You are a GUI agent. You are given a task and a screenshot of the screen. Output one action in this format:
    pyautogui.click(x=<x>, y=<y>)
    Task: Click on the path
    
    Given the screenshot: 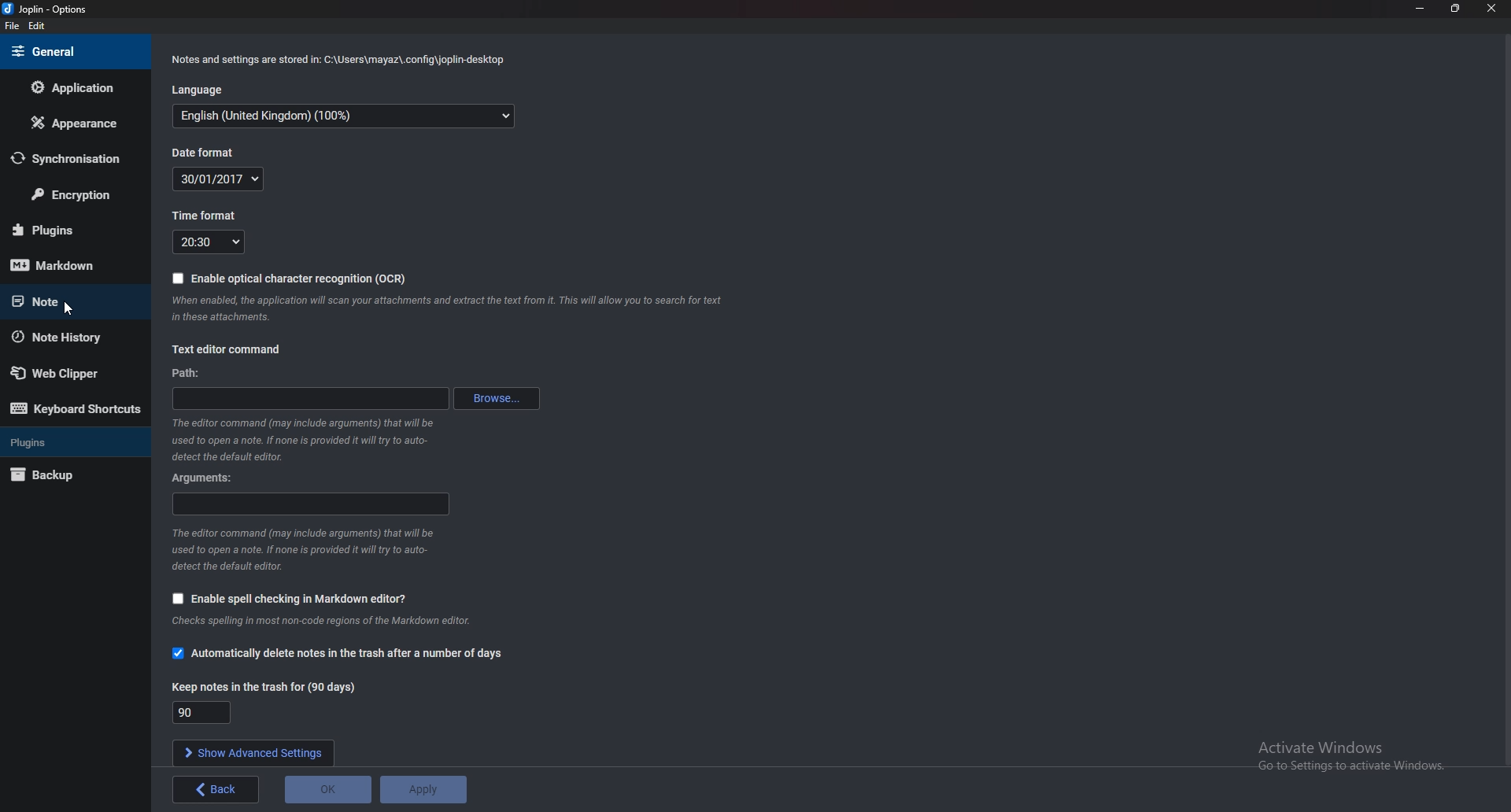 What is the action you would take?
    pyautogui.click(x=190, y=373)
    